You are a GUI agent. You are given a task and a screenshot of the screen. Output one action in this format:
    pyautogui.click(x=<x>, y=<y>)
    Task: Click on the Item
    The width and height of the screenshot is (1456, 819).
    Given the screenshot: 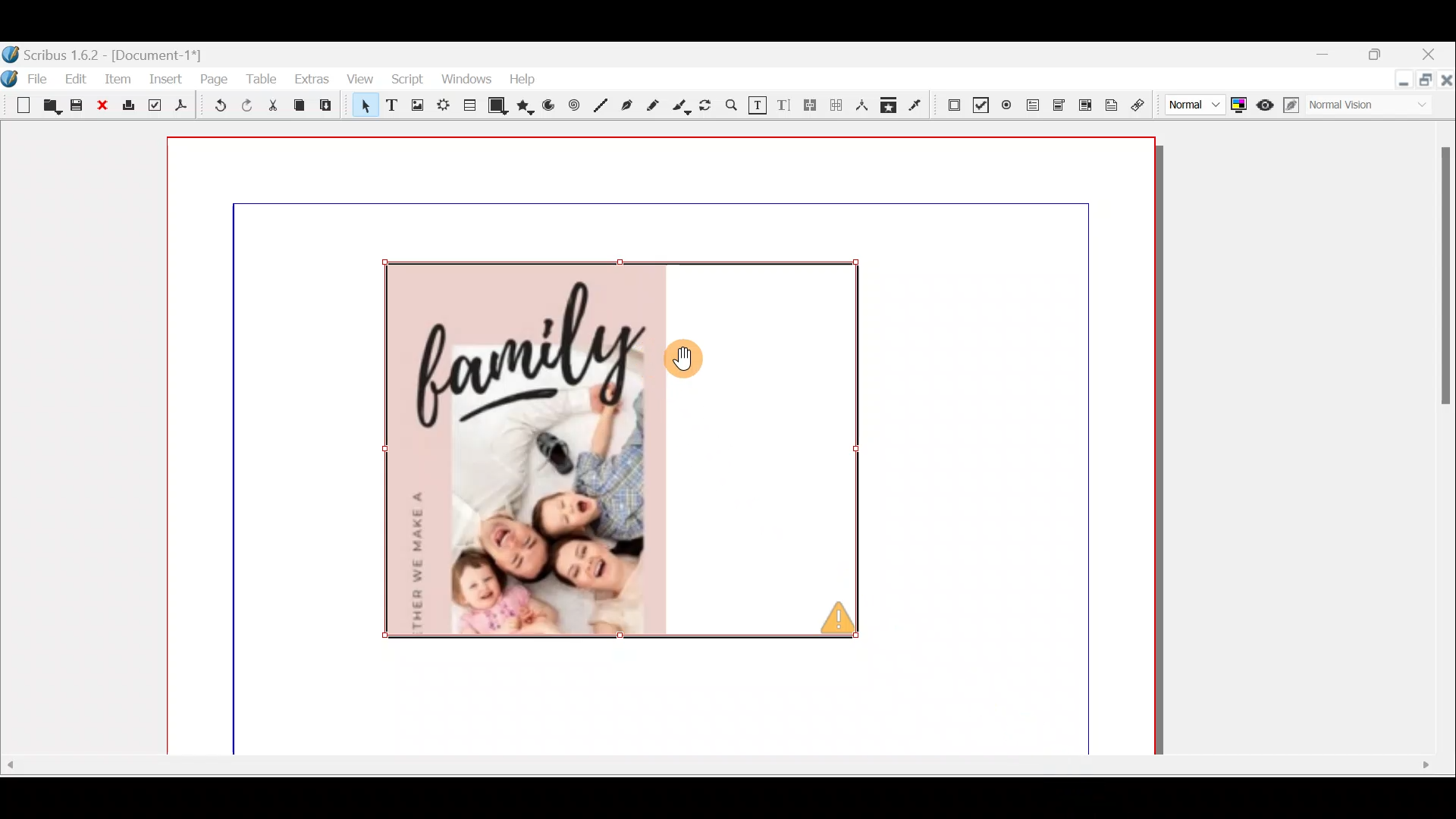 What is the action you would take?
    pyautogui.click(x=117, y=78)
    